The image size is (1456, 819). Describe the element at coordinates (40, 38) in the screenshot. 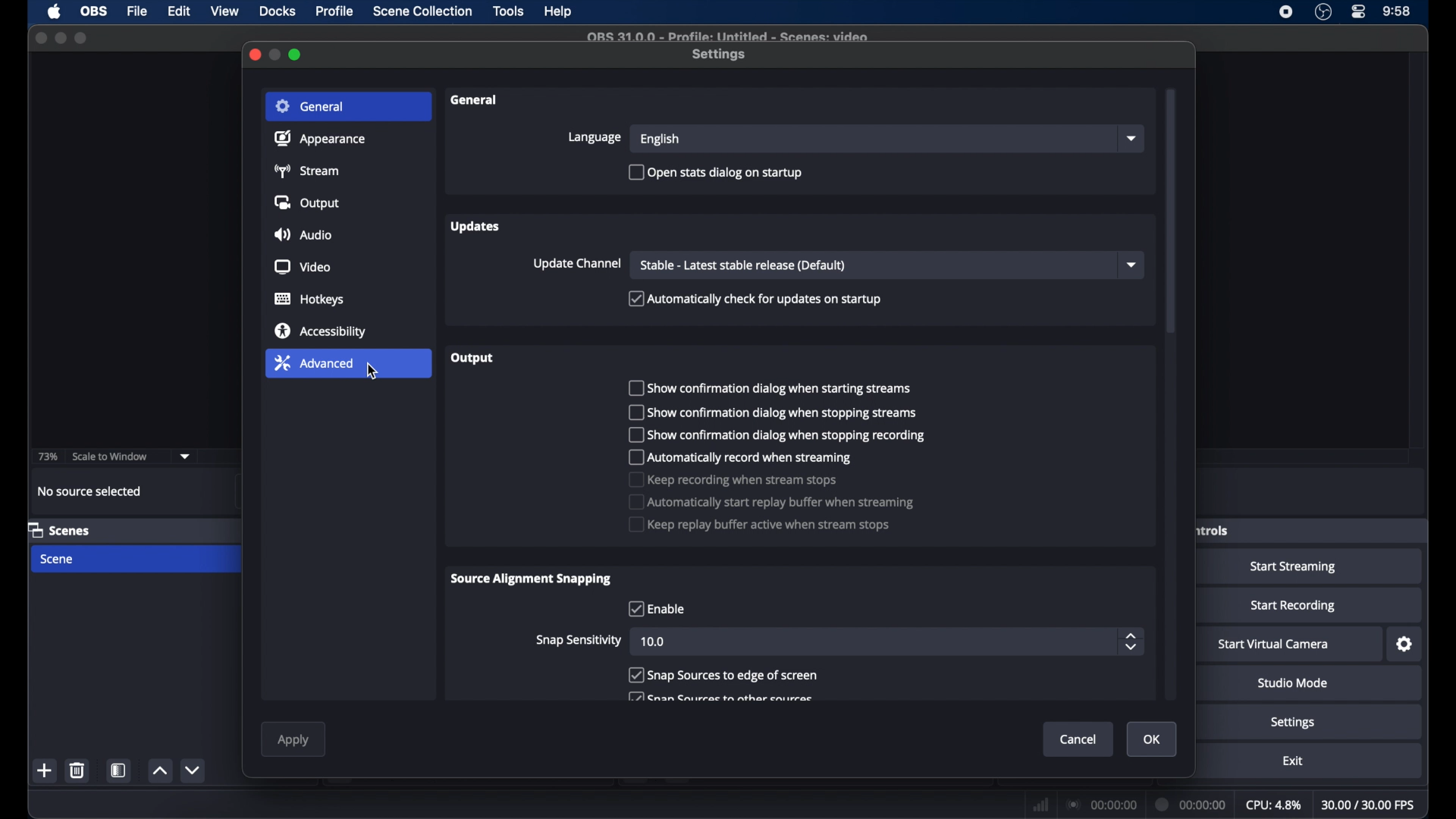

I see `close` at that location.